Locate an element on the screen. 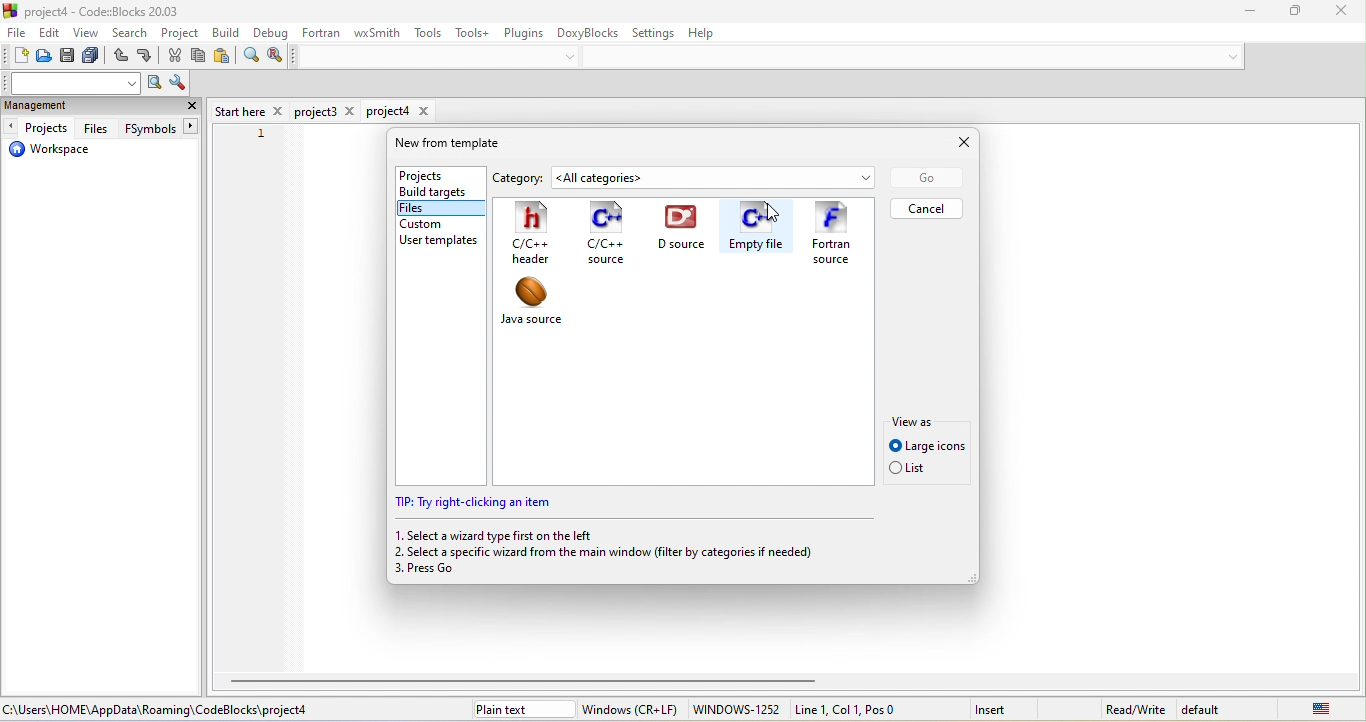 This screenshot has width=1366, height=722. custom is located at coordinates (428, 223).